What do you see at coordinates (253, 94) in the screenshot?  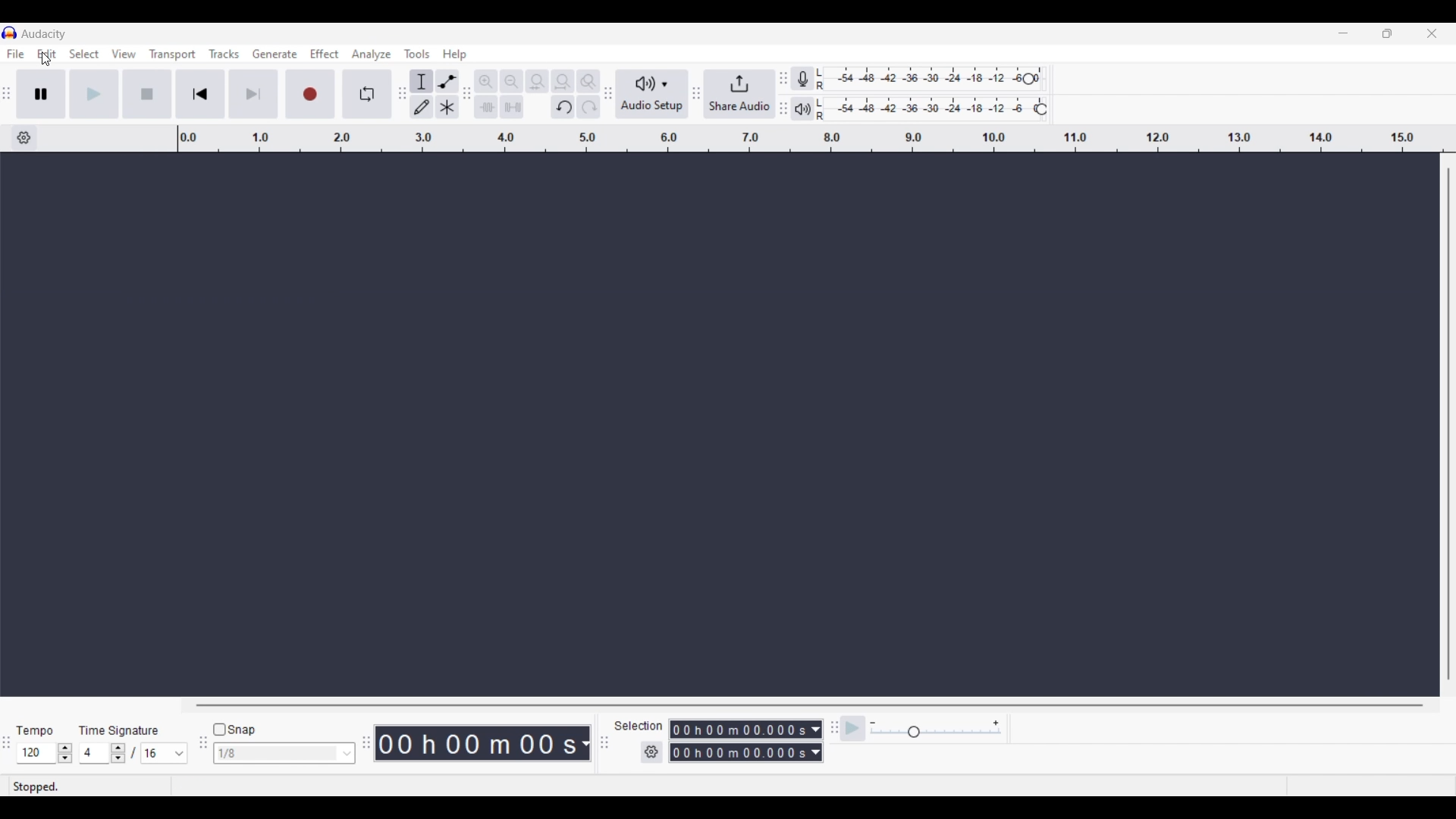 I see `Skip to end/Select to end` at bounding box center [253, 94].